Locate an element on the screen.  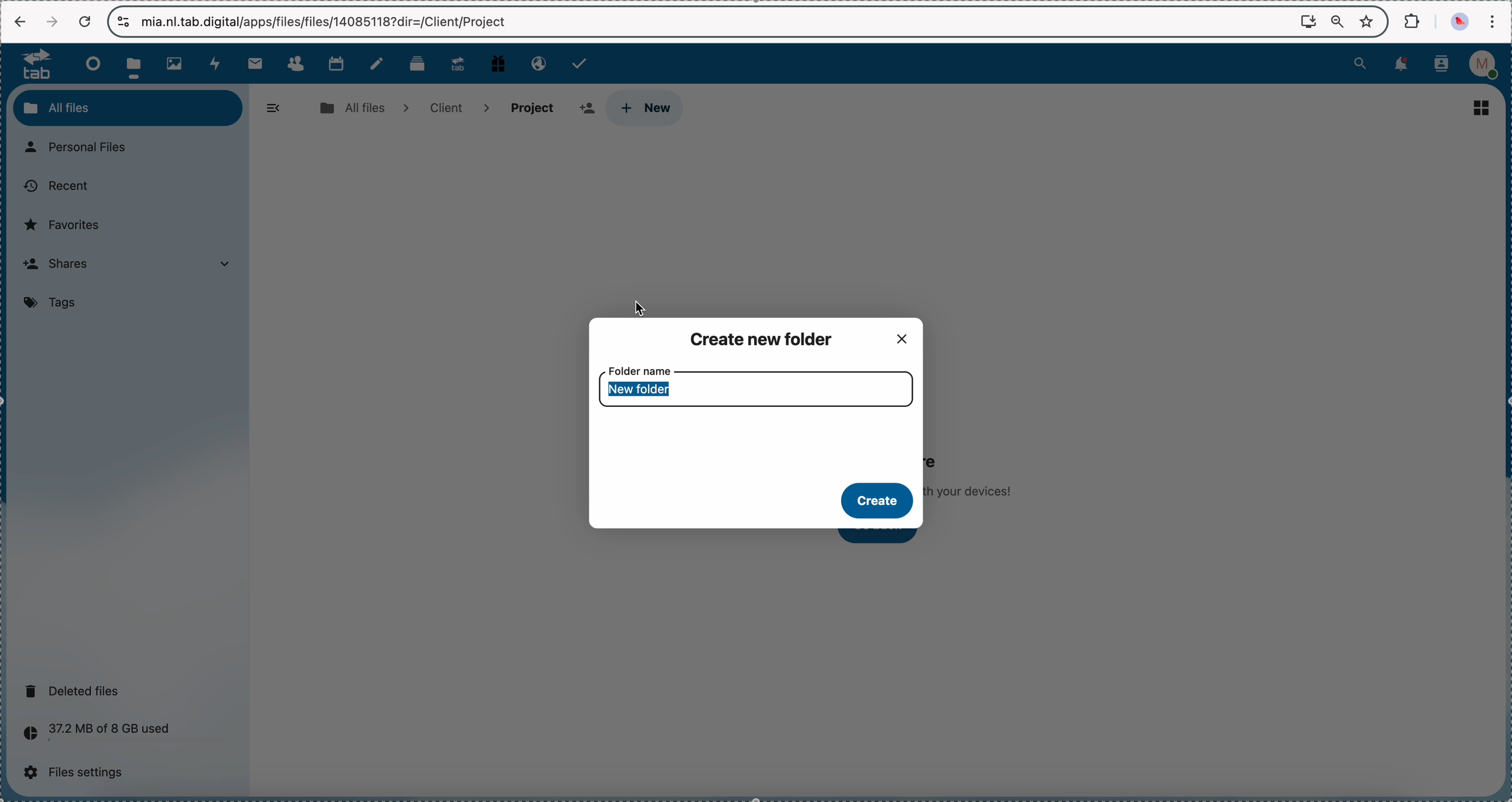
dashboard is located at coordinates (90, 63).